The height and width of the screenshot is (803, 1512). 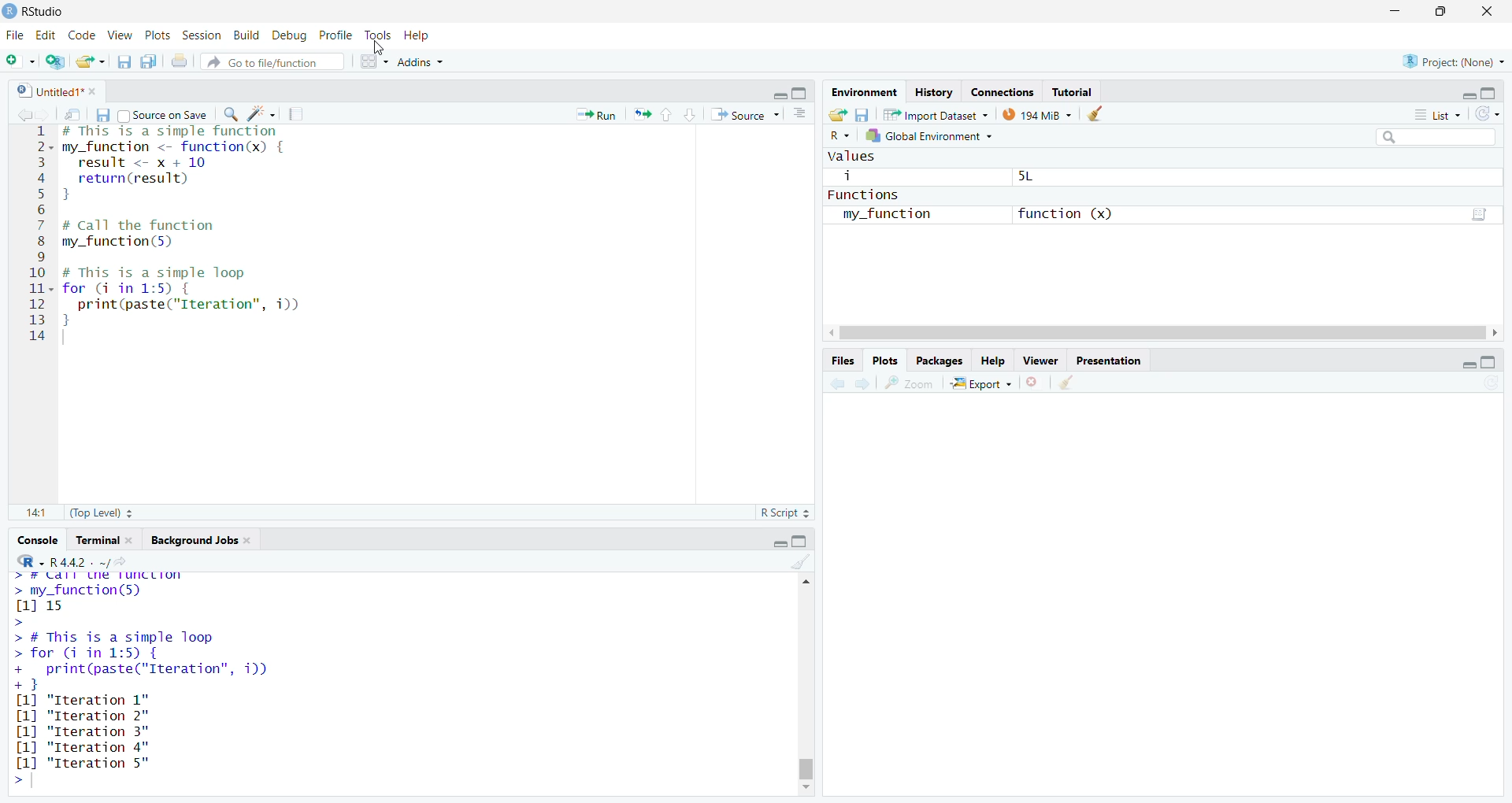 What do you see at coordinates (865, 384) in the screenshot?
I see `next plot` at bounding box center [865, 384].